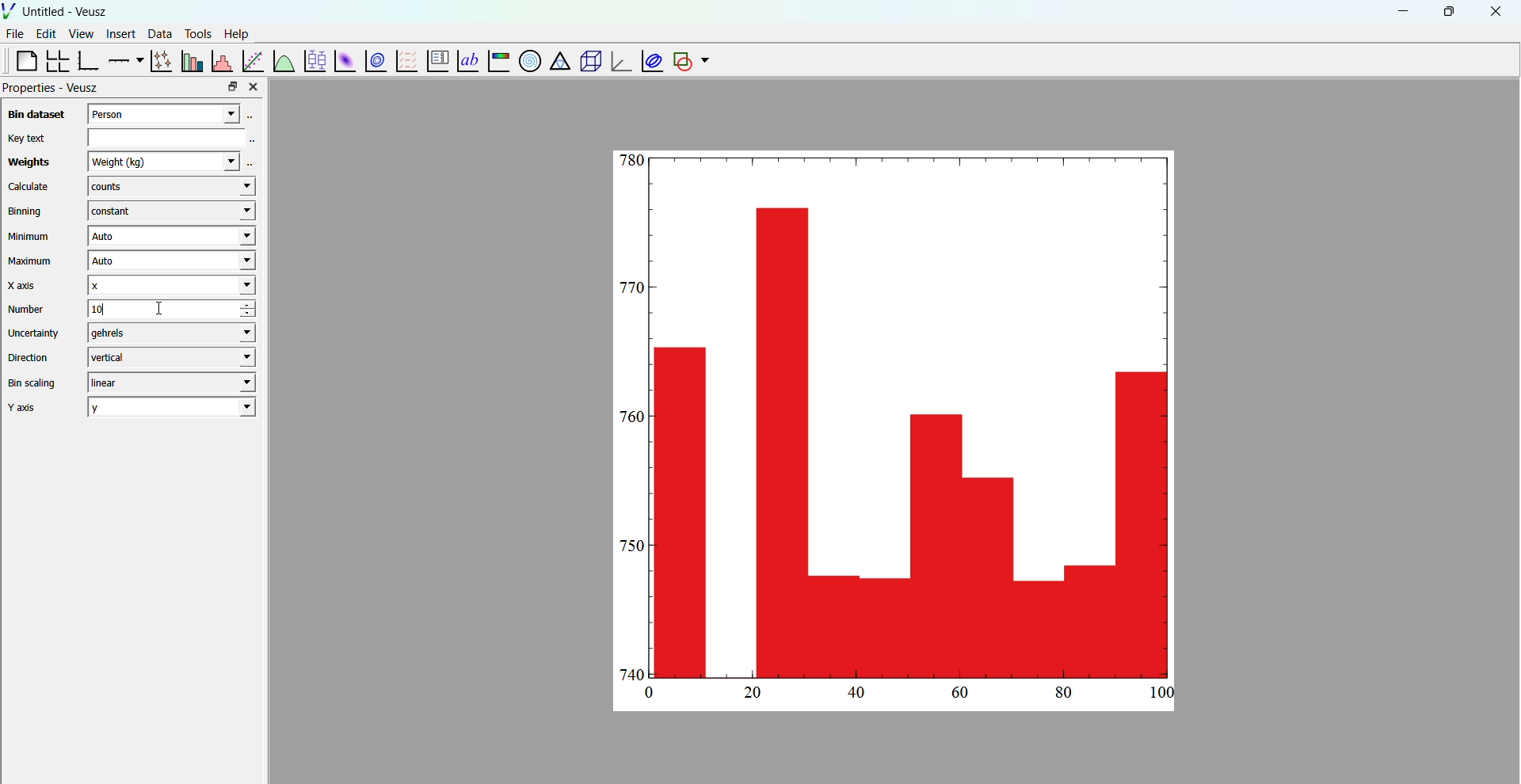  I want to click on close property bar, so click(255, 86).